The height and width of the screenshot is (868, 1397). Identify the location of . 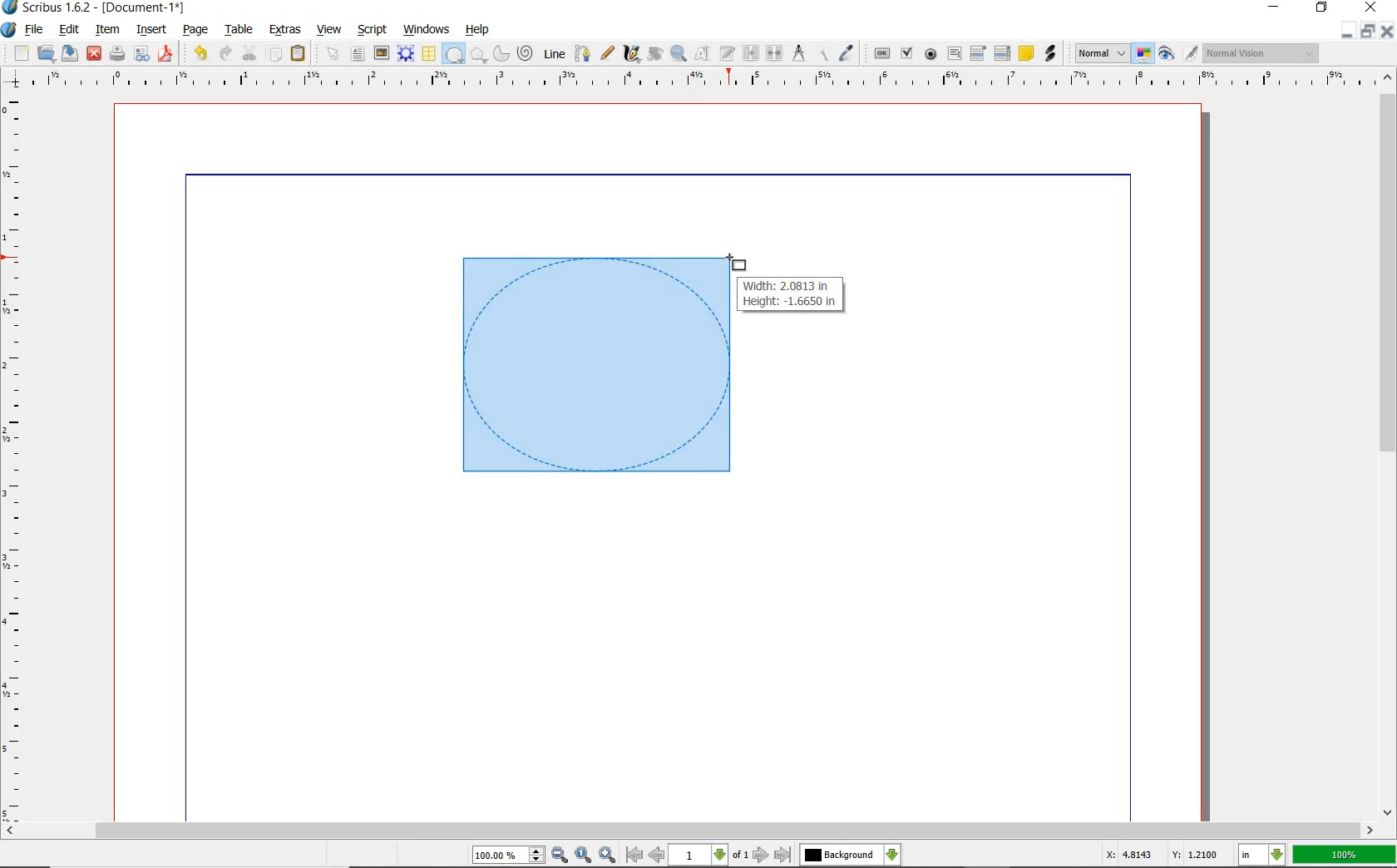
(840, 855).